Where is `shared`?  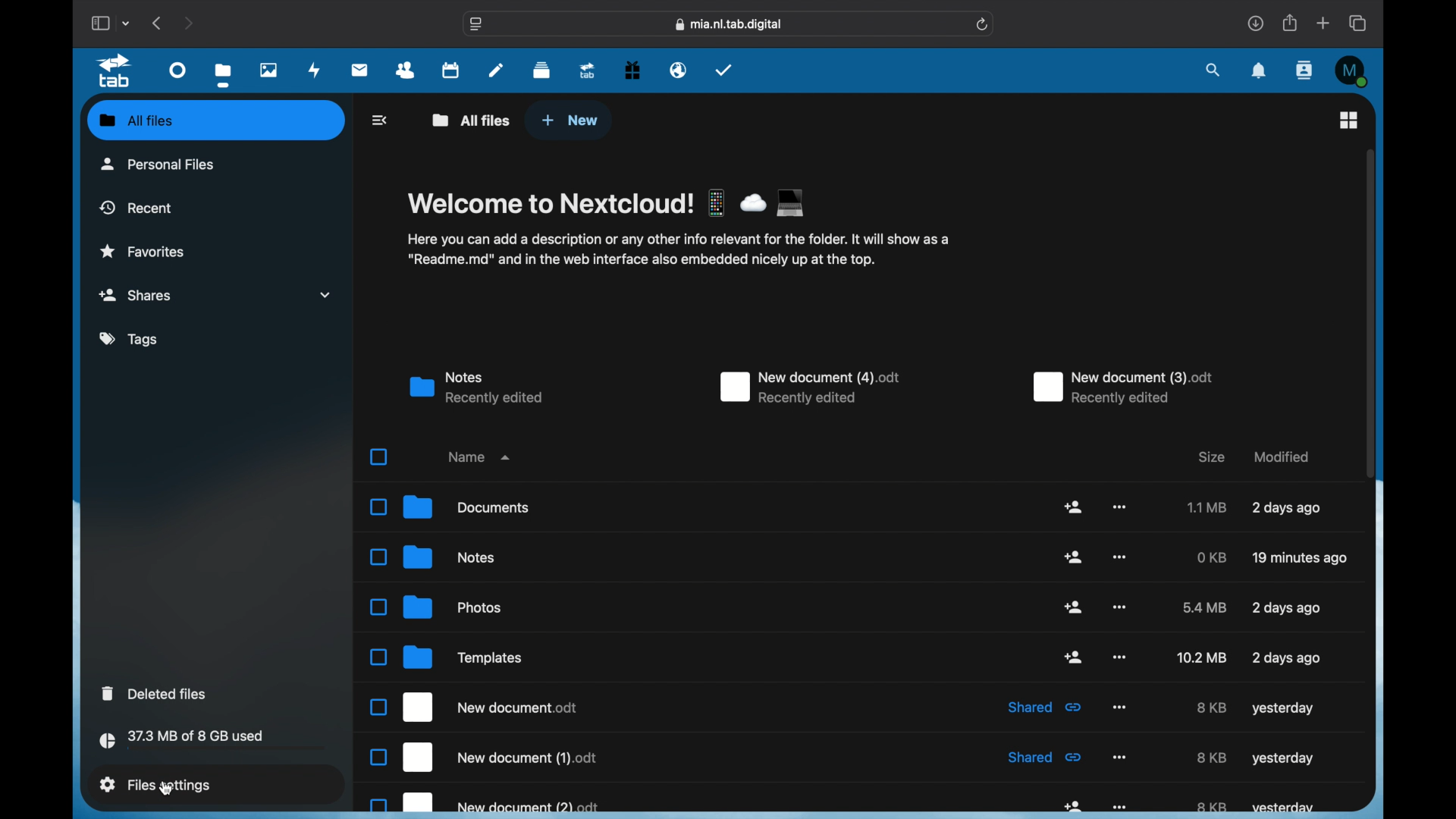 shared is located at coordinates (1075, 607).